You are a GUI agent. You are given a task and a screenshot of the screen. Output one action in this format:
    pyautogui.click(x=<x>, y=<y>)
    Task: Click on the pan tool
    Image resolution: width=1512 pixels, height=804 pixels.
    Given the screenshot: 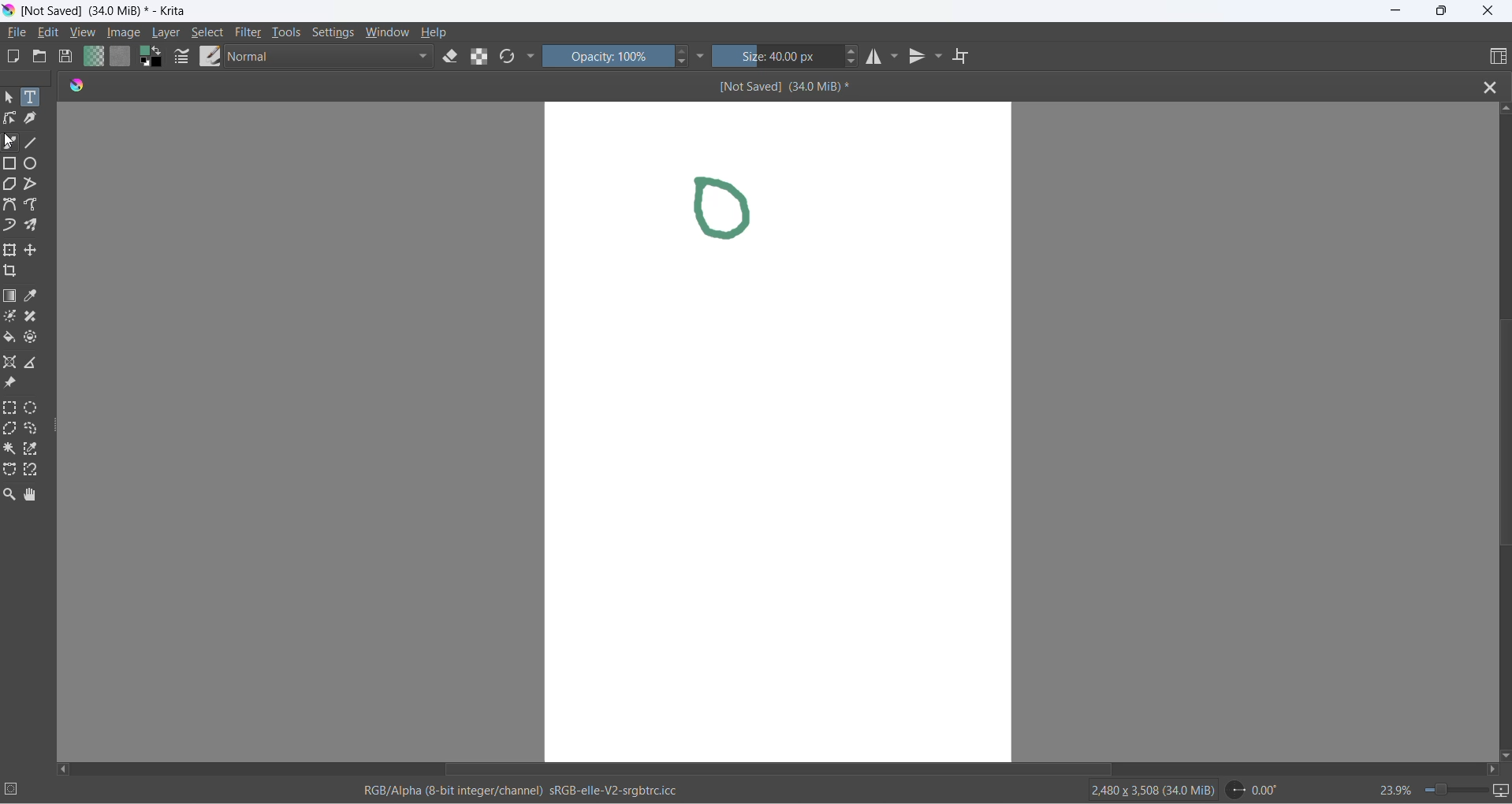 What is the action you would take?
    pyautogui.click(x=32, y=492)
    